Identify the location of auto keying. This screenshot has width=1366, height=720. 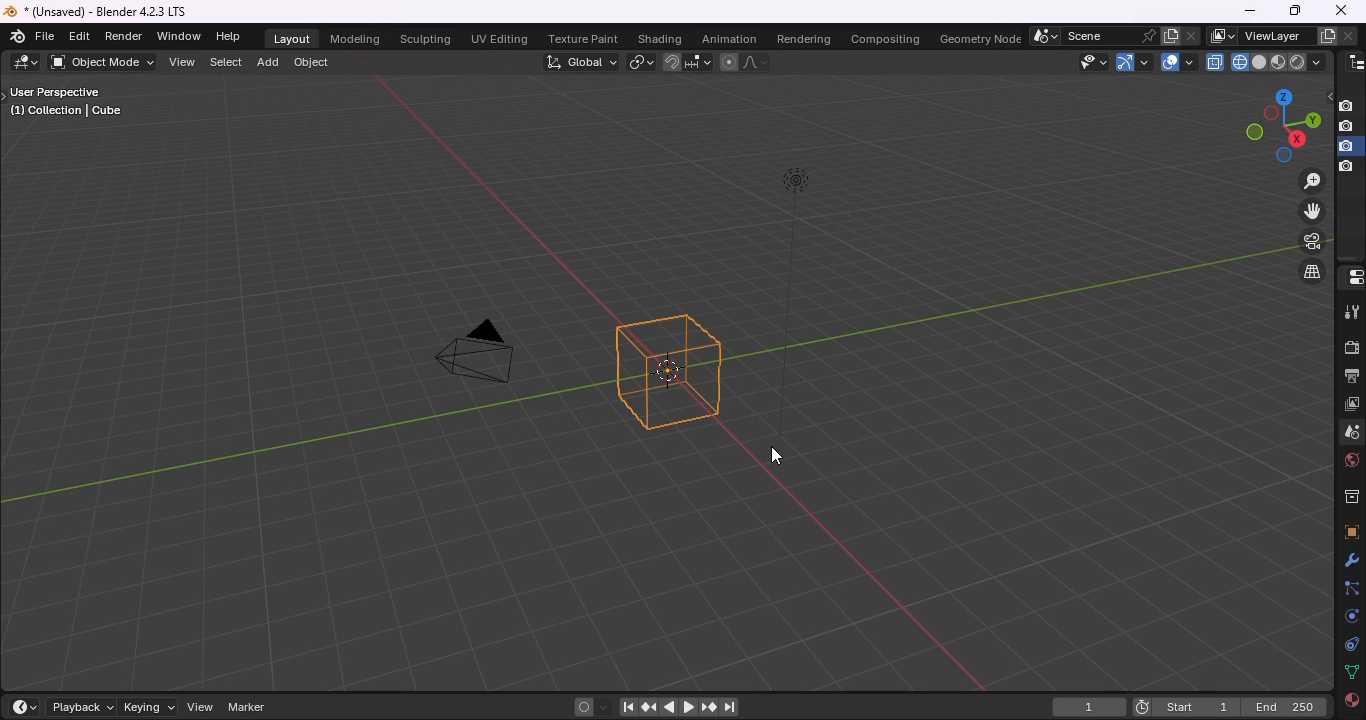
(583, 707).